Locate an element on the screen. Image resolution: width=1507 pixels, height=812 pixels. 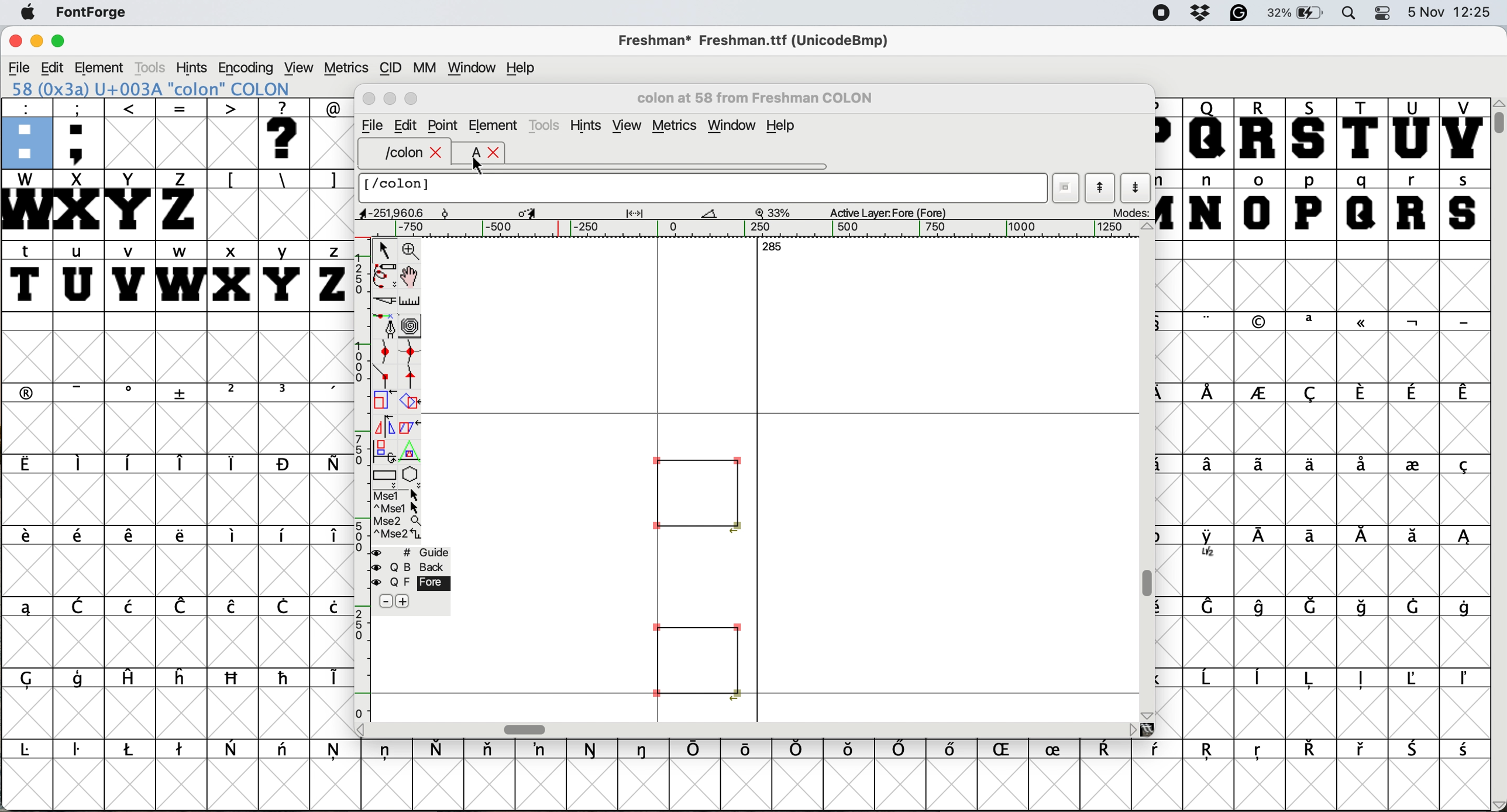
symbol is located at coordinates (330, 465).